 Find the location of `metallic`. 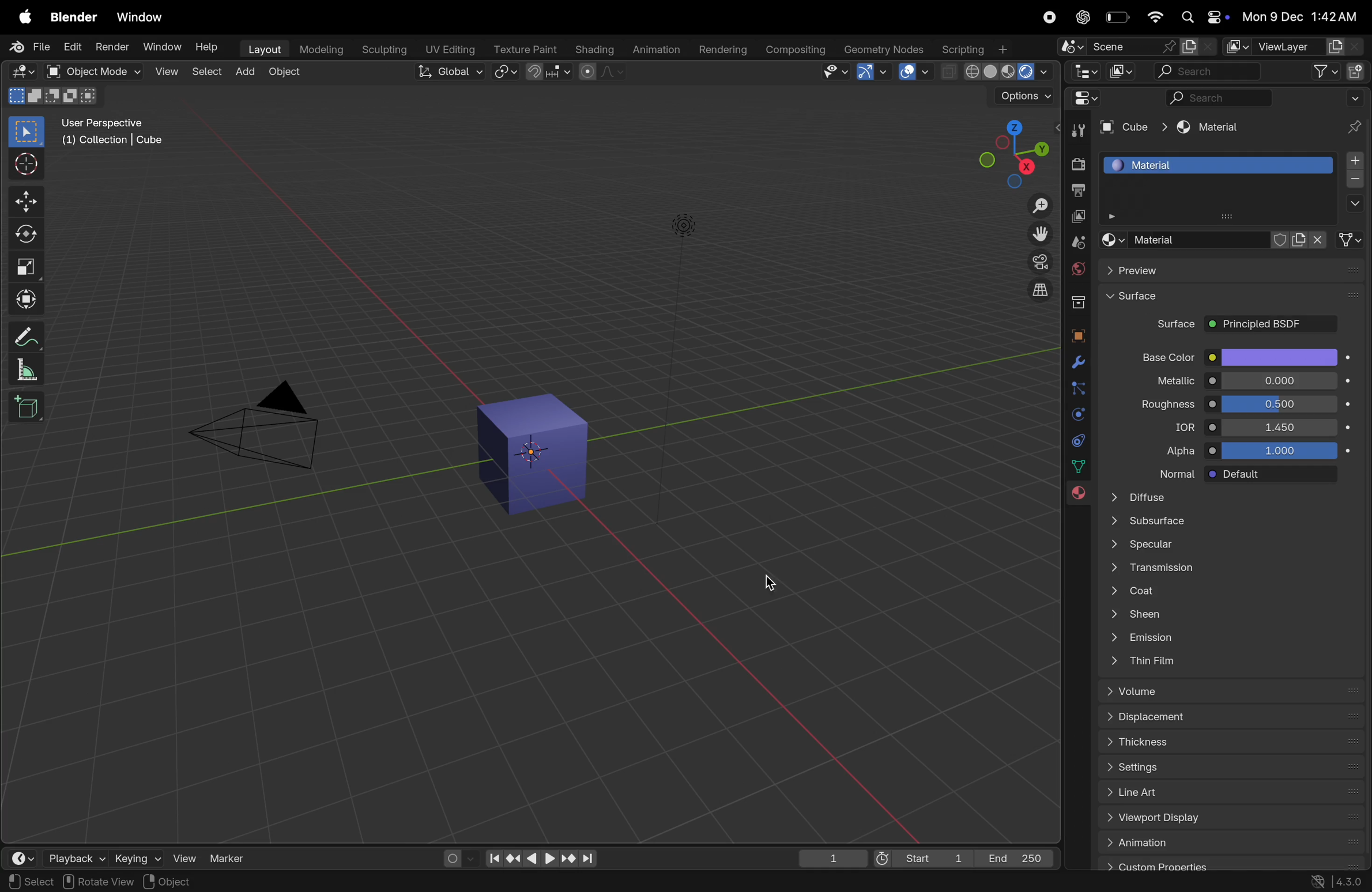

metallic is located at coordinates (1163, 382).